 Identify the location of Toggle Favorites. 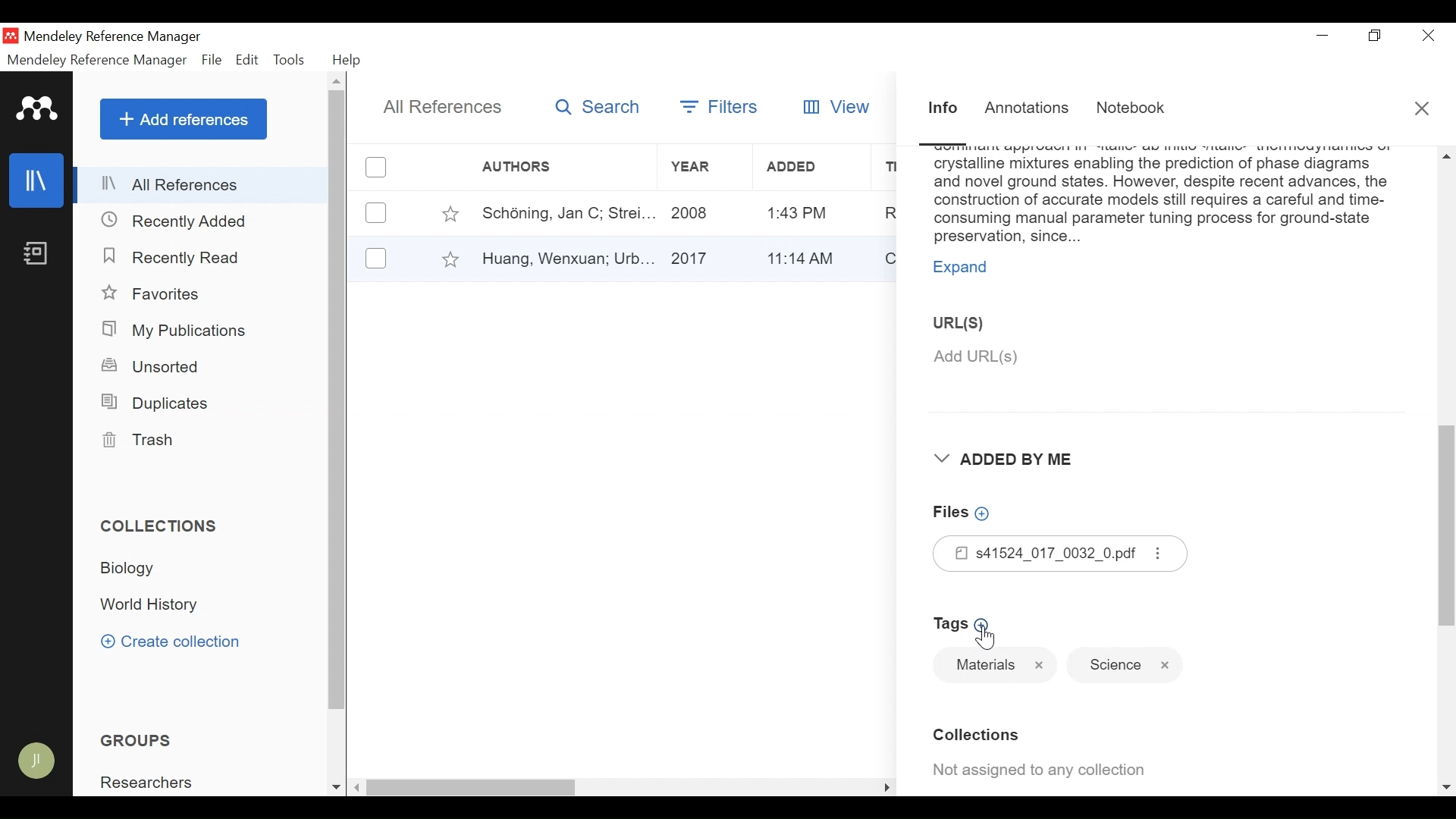
(450, 259).